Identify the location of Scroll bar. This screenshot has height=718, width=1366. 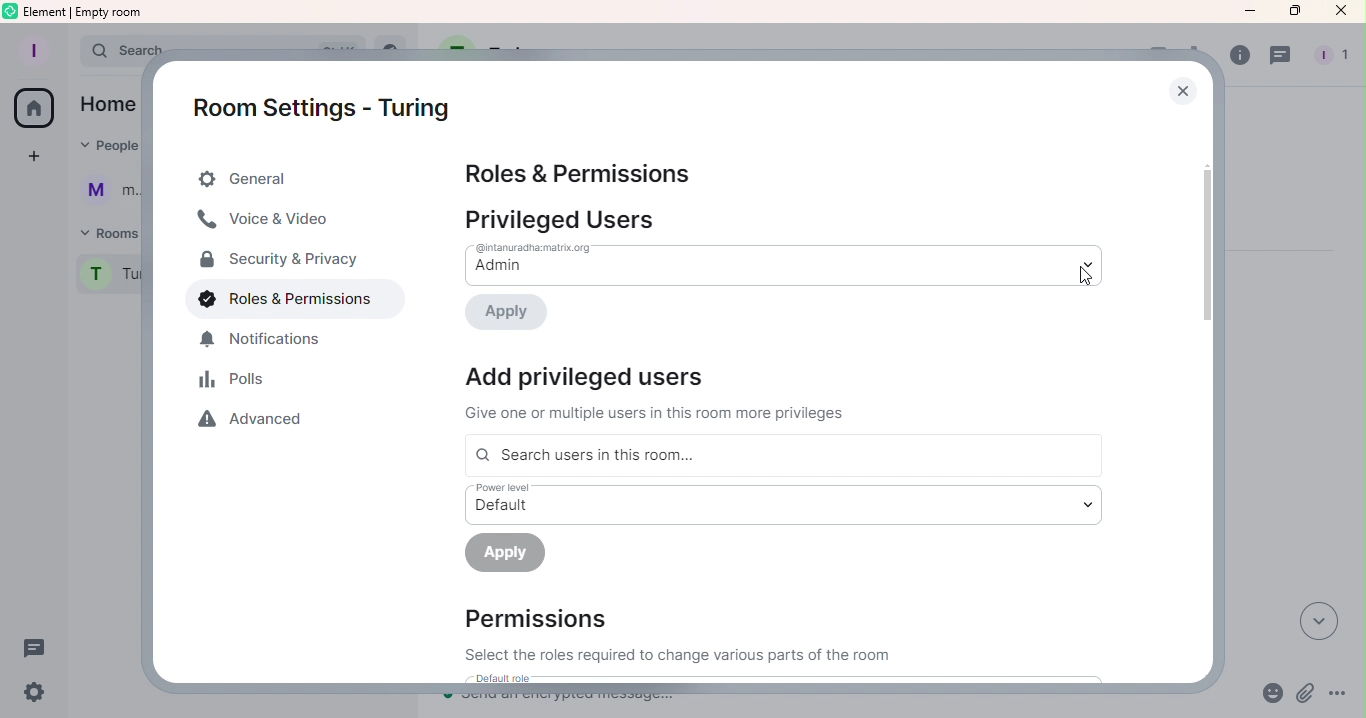
(1203, 384).